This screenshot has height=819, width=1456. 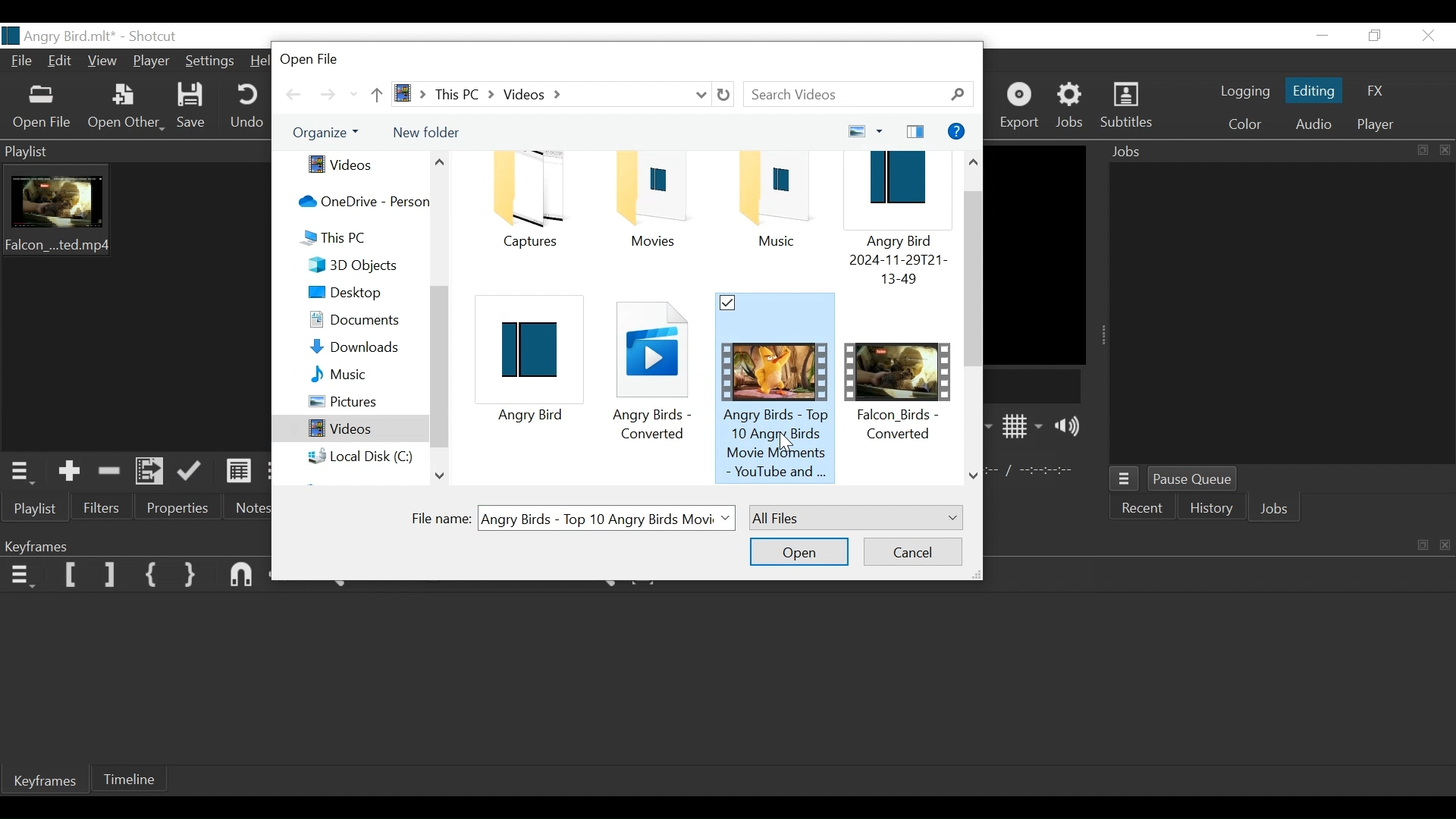 What do you see at coordinates (193, 105) in the screenshot?
I see `Save` at bounding box center [193, 105].